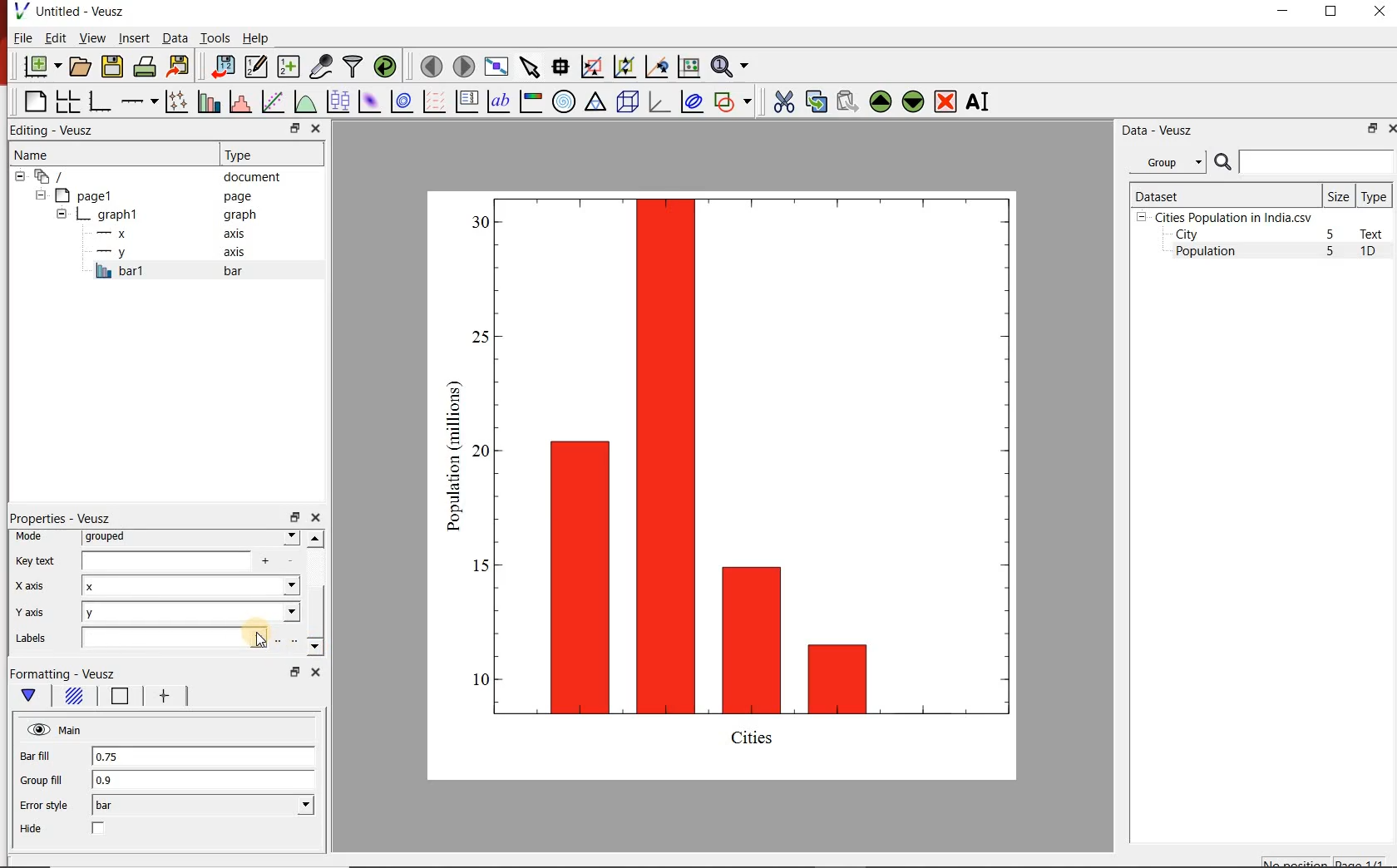 The image size is (1397, 868). I want to click on y axis, so click(41, 612).